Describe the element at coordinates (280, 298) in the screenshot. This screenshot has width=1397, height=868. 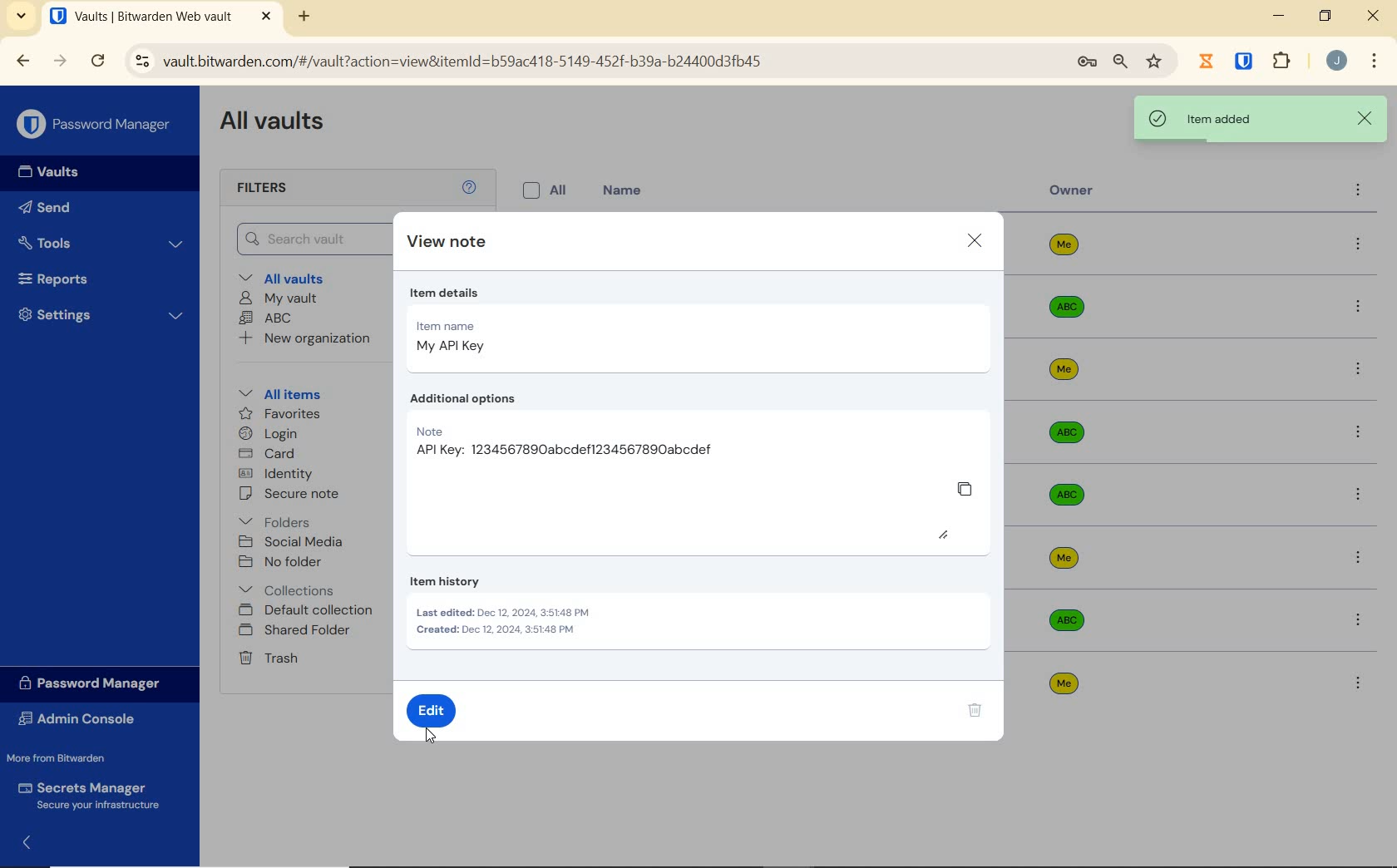
I see `My Vault` at that location.